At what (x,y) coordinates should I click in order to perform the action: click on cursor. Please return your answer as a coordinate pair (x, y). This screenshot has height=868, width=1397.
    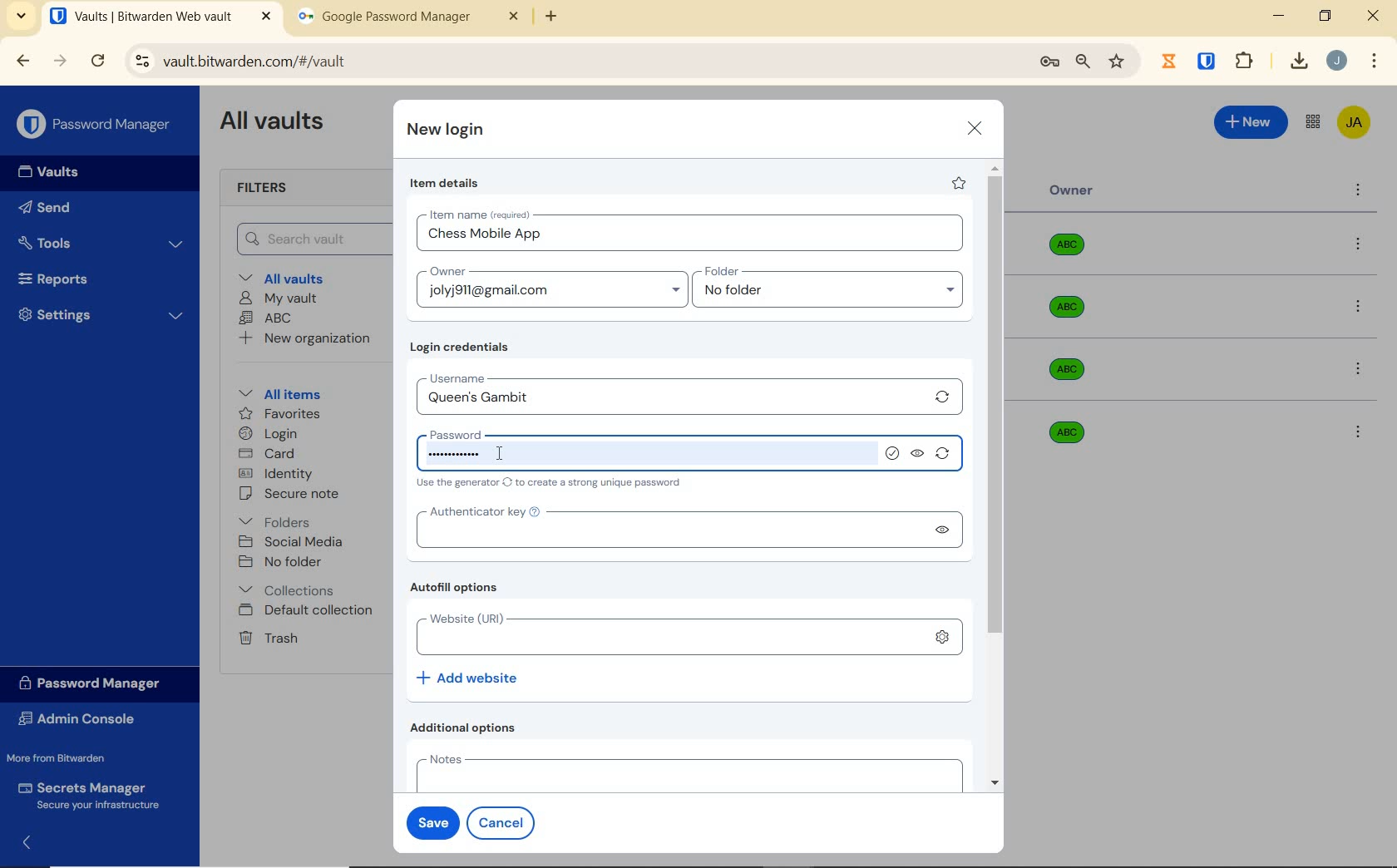
    Looking at the image, I should click on (497, 453).